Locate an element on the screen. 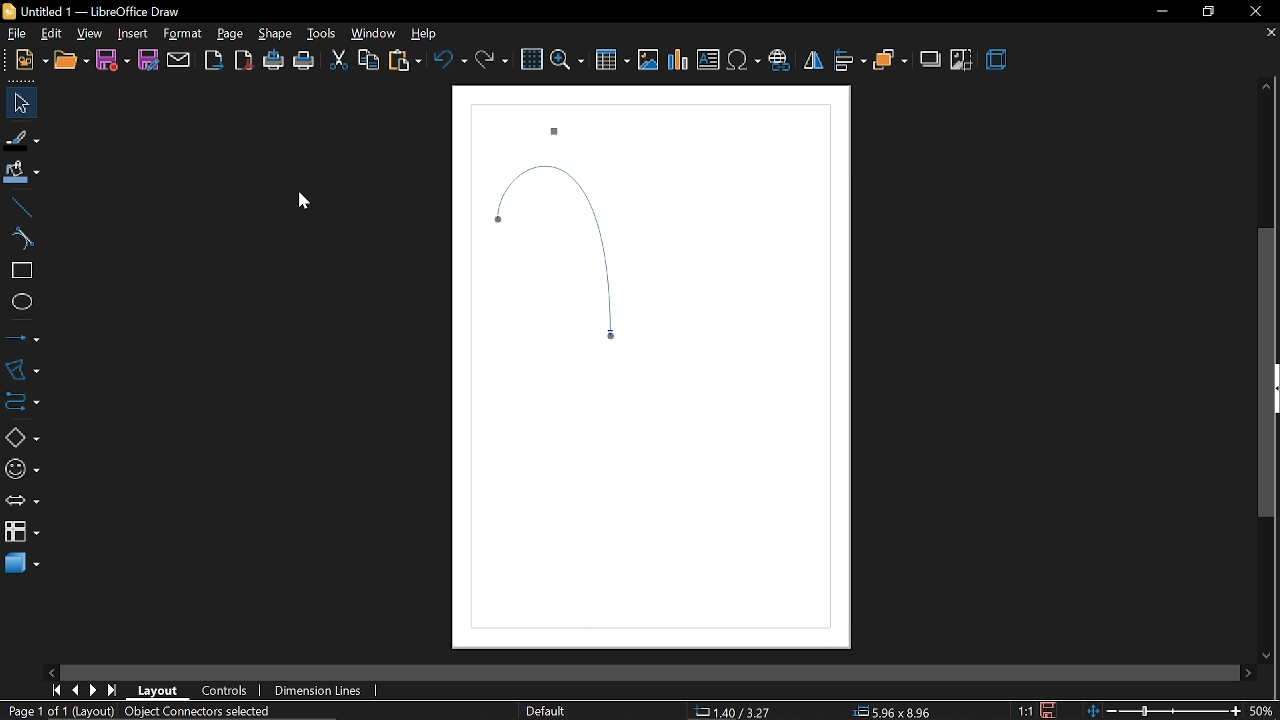  save is located at coordinates (1051, 710).